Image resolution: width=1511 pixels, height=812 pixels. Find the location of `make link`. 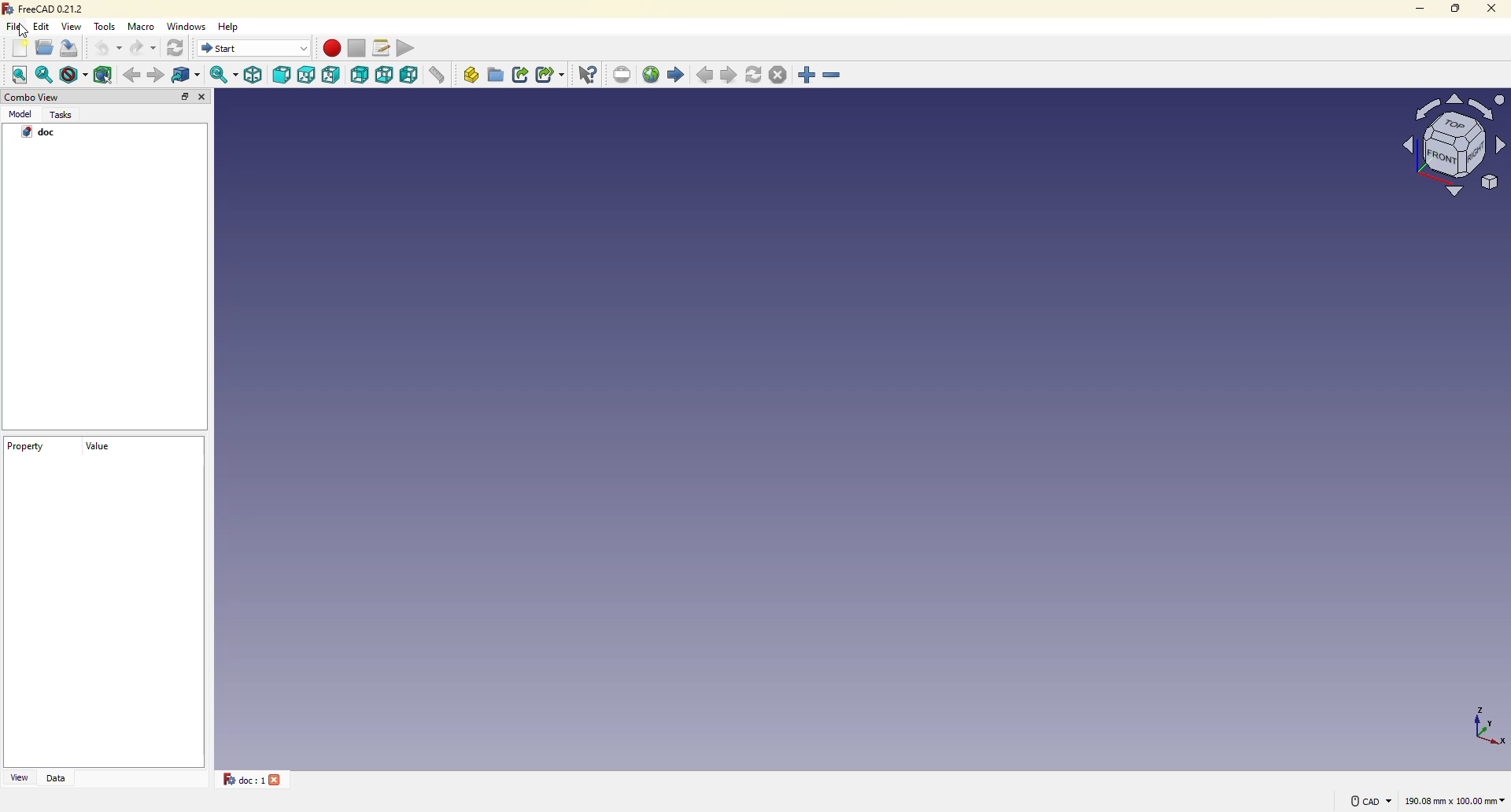

make link is located at coordinates (522, 75).